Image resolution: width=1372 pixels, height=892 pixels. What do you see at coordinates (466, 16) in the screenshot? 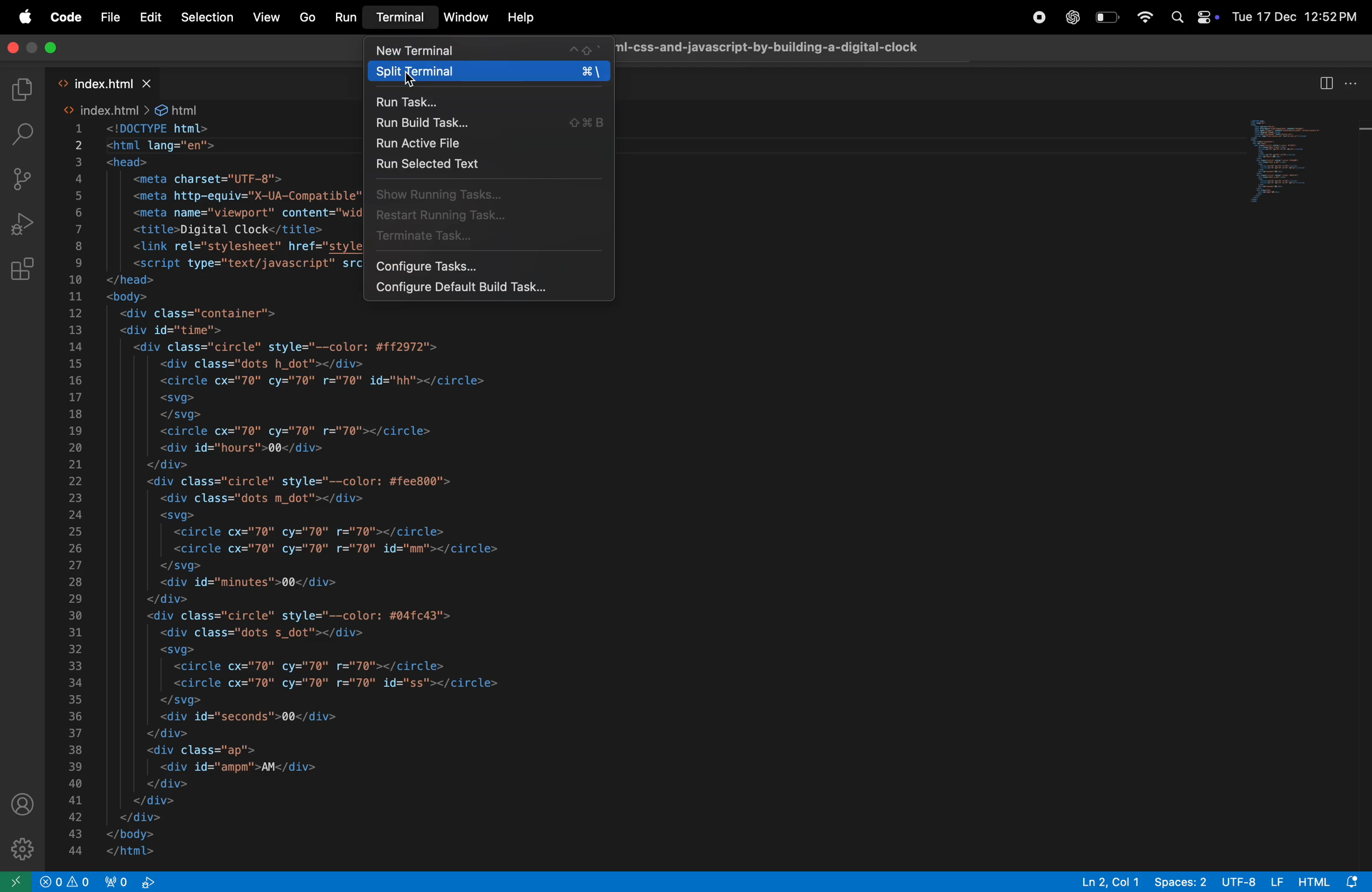
I see `window` at bounding box center [466, 16].